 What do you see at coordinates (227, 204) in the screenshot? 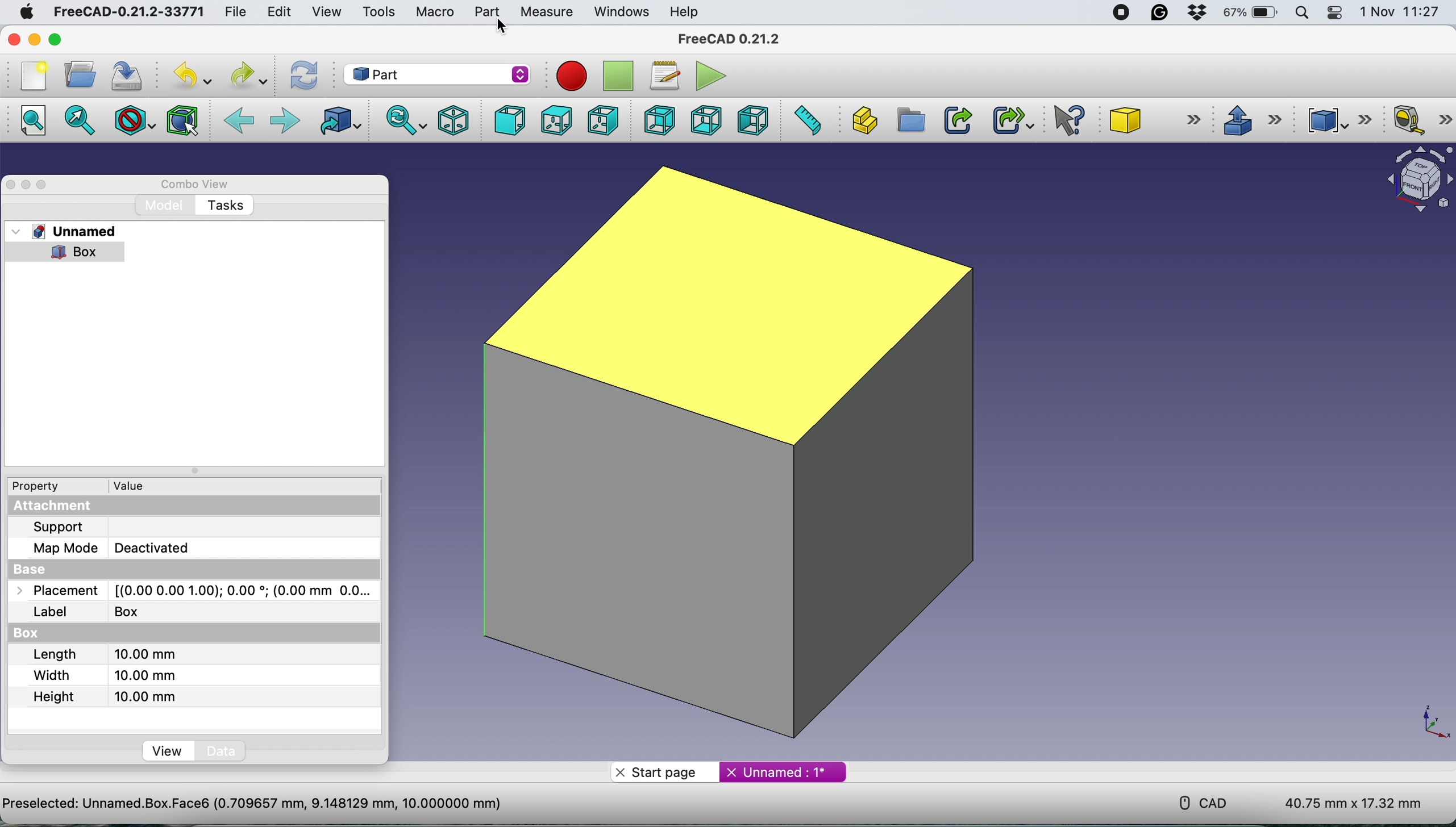
I see `tasks` at bounding box center [227, 204].